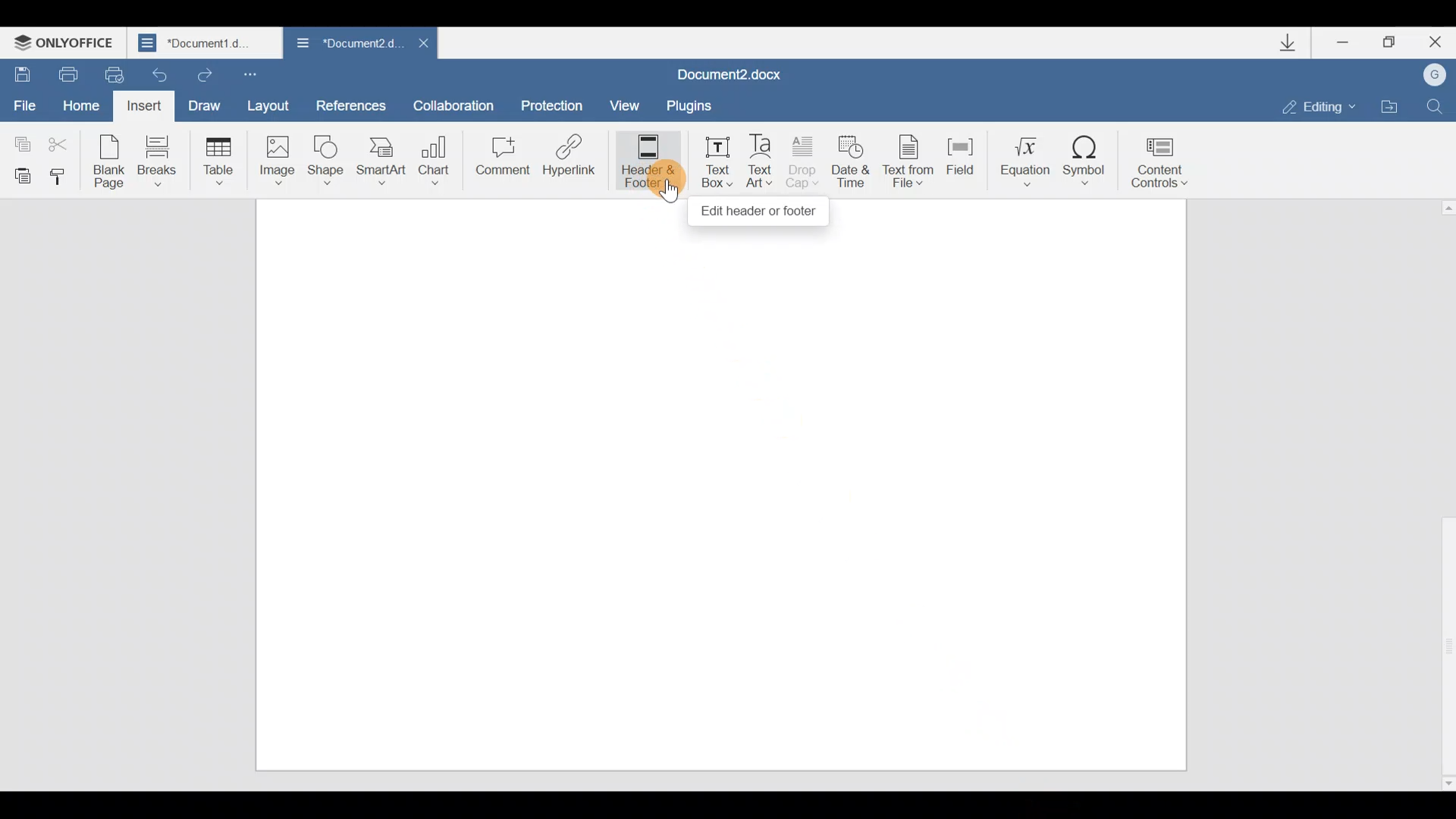 This screenshot has width=1456, height=819. I want to click on Draw, so click(209, 104).